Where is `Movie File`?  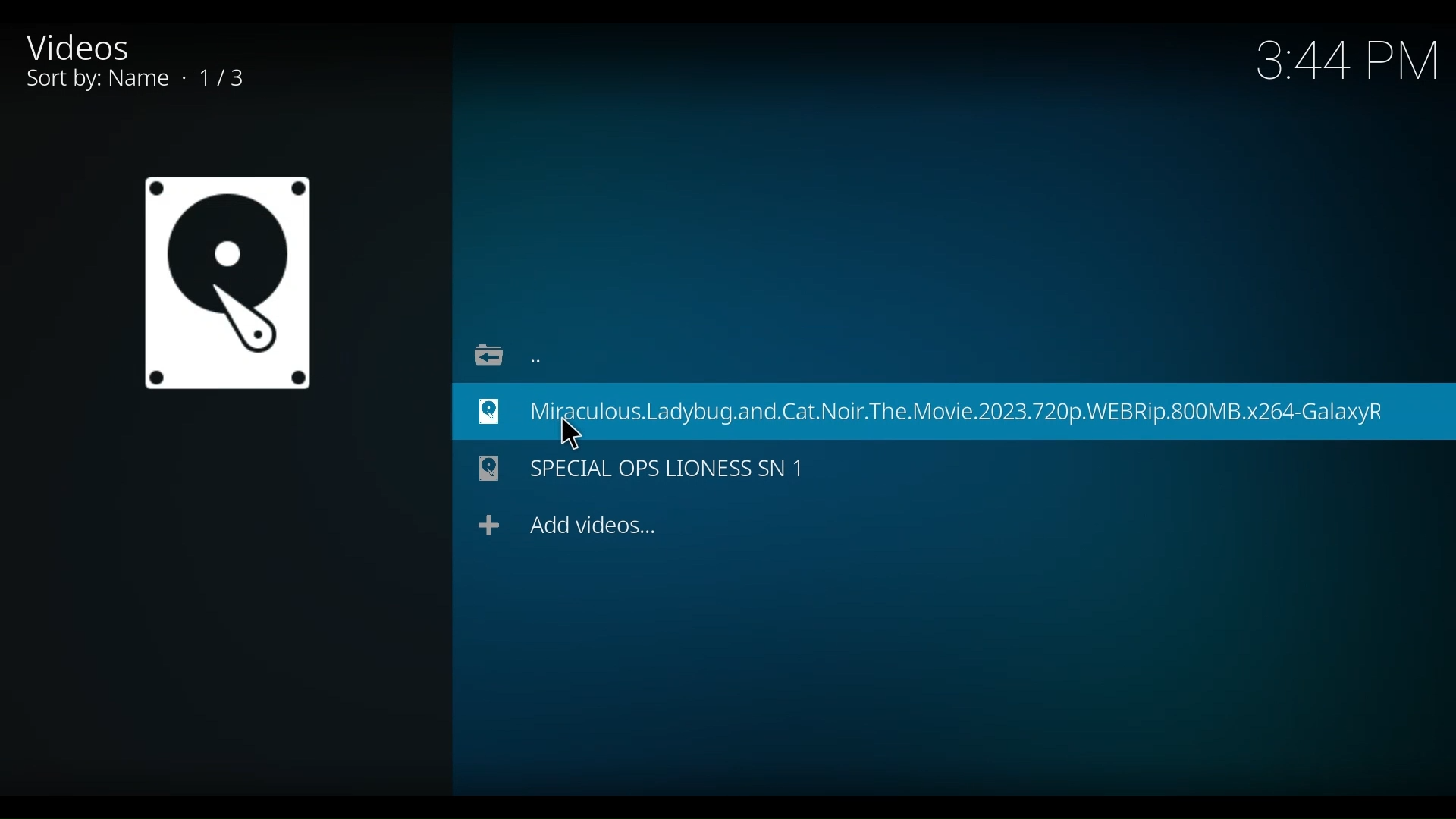
Movie File is located at coordinates (643, 470).